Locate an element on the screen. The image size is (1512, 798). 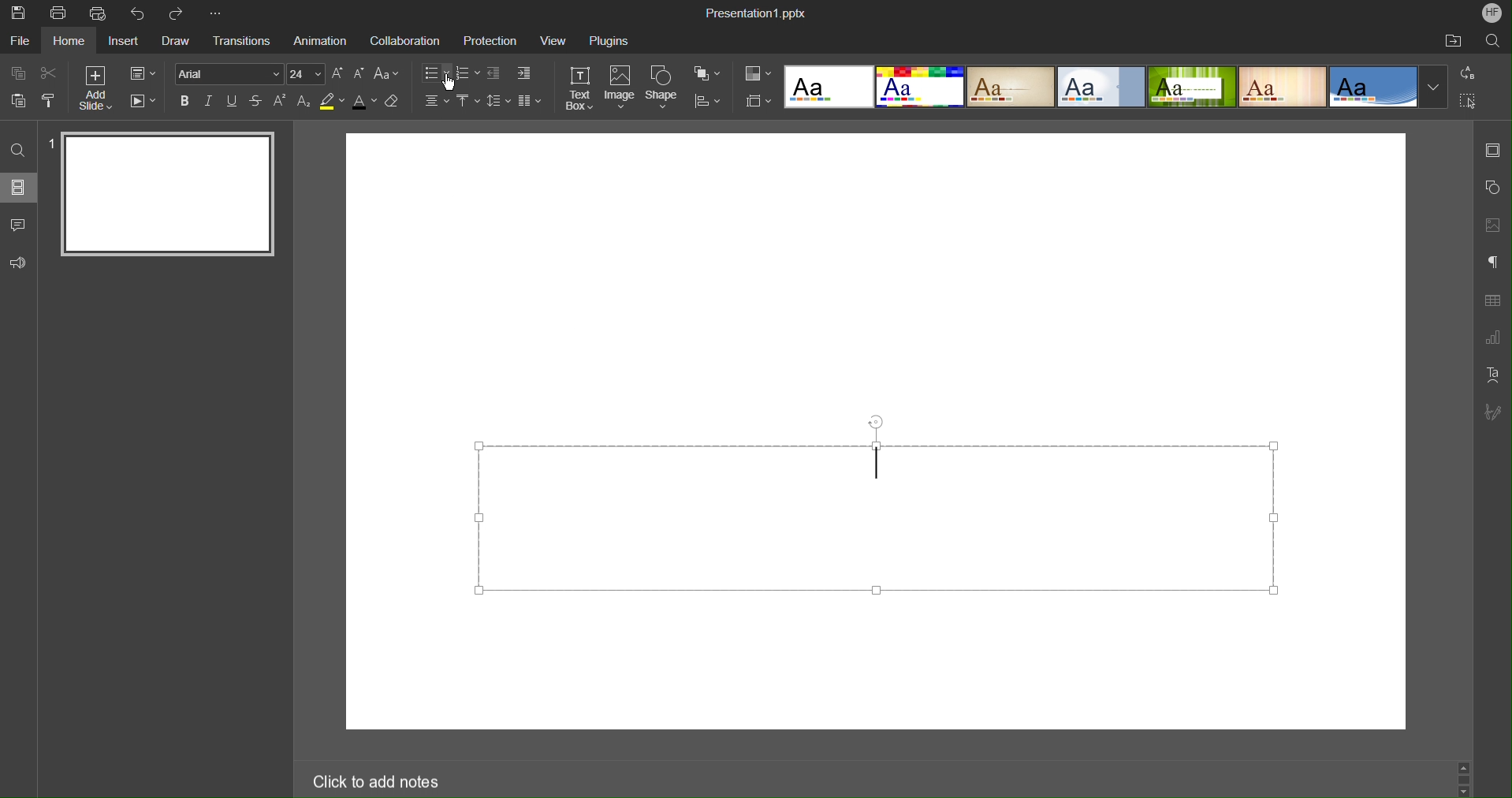
Save is located at coordinates (17, 13).